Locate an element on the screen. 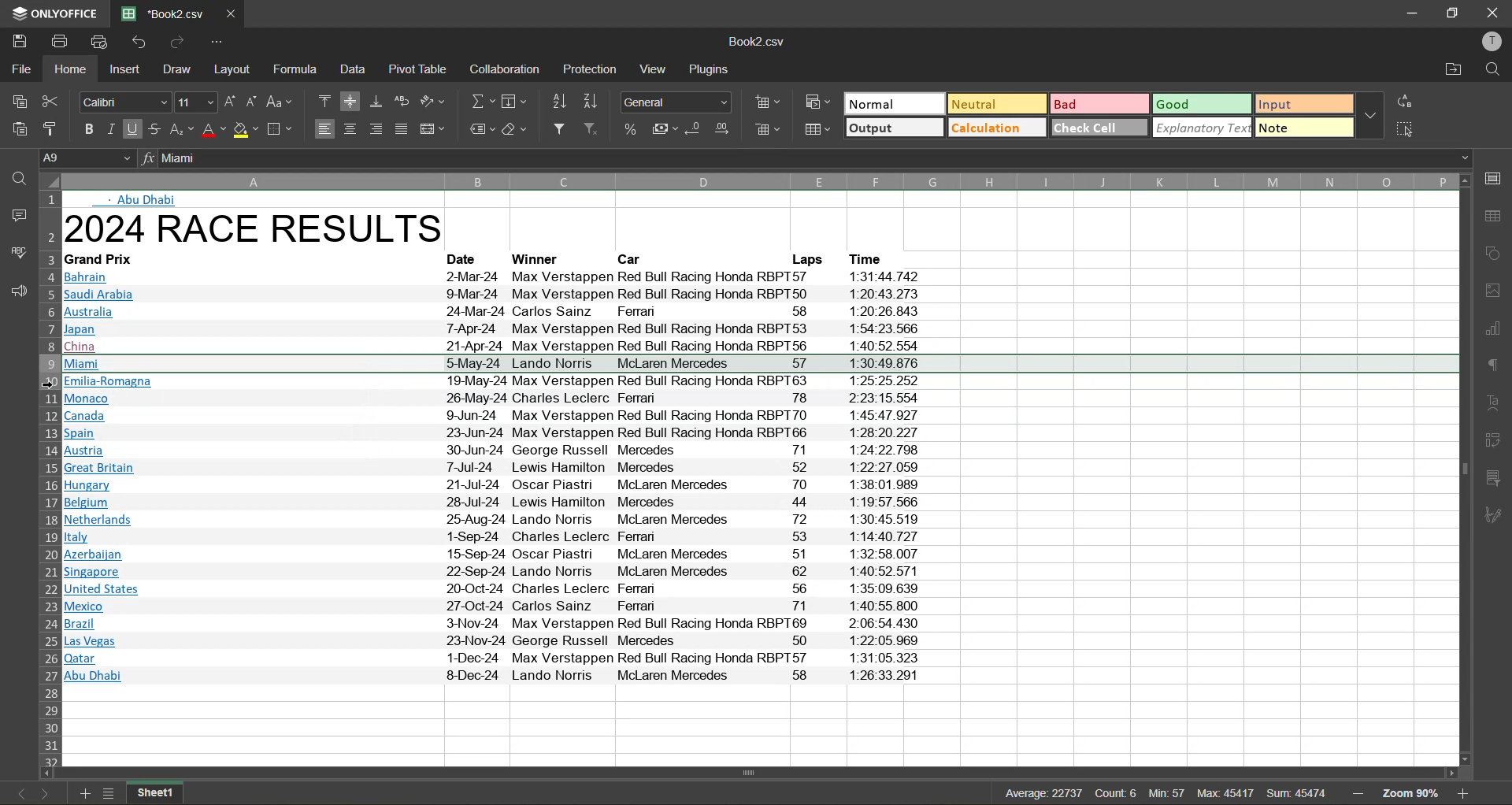 The height and width of the screenshot is (805, 1512). Car is located at coordinates (635, 258).